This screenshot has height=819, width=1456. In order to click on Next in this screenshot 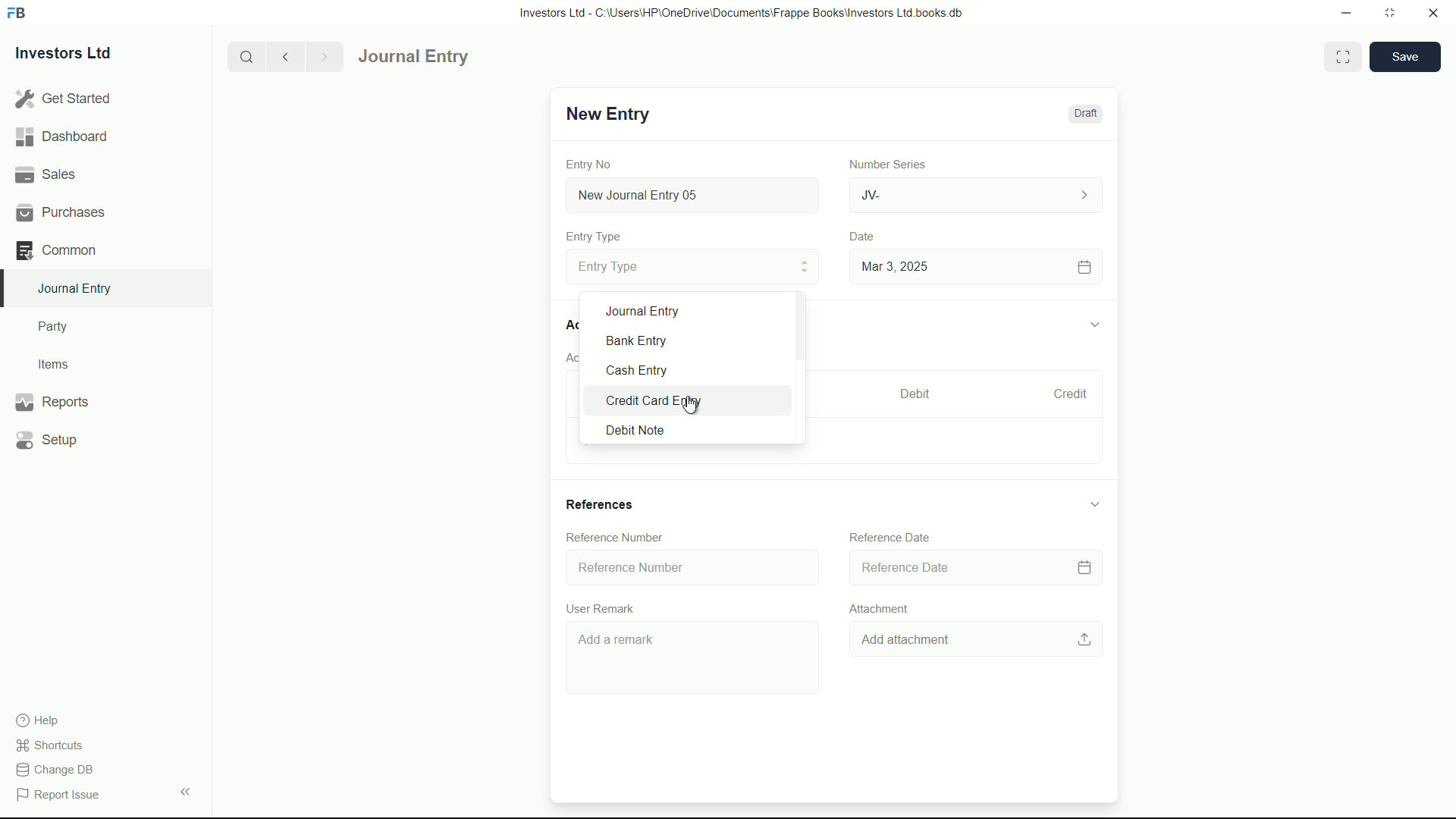, I will do `click(322, 56)`.